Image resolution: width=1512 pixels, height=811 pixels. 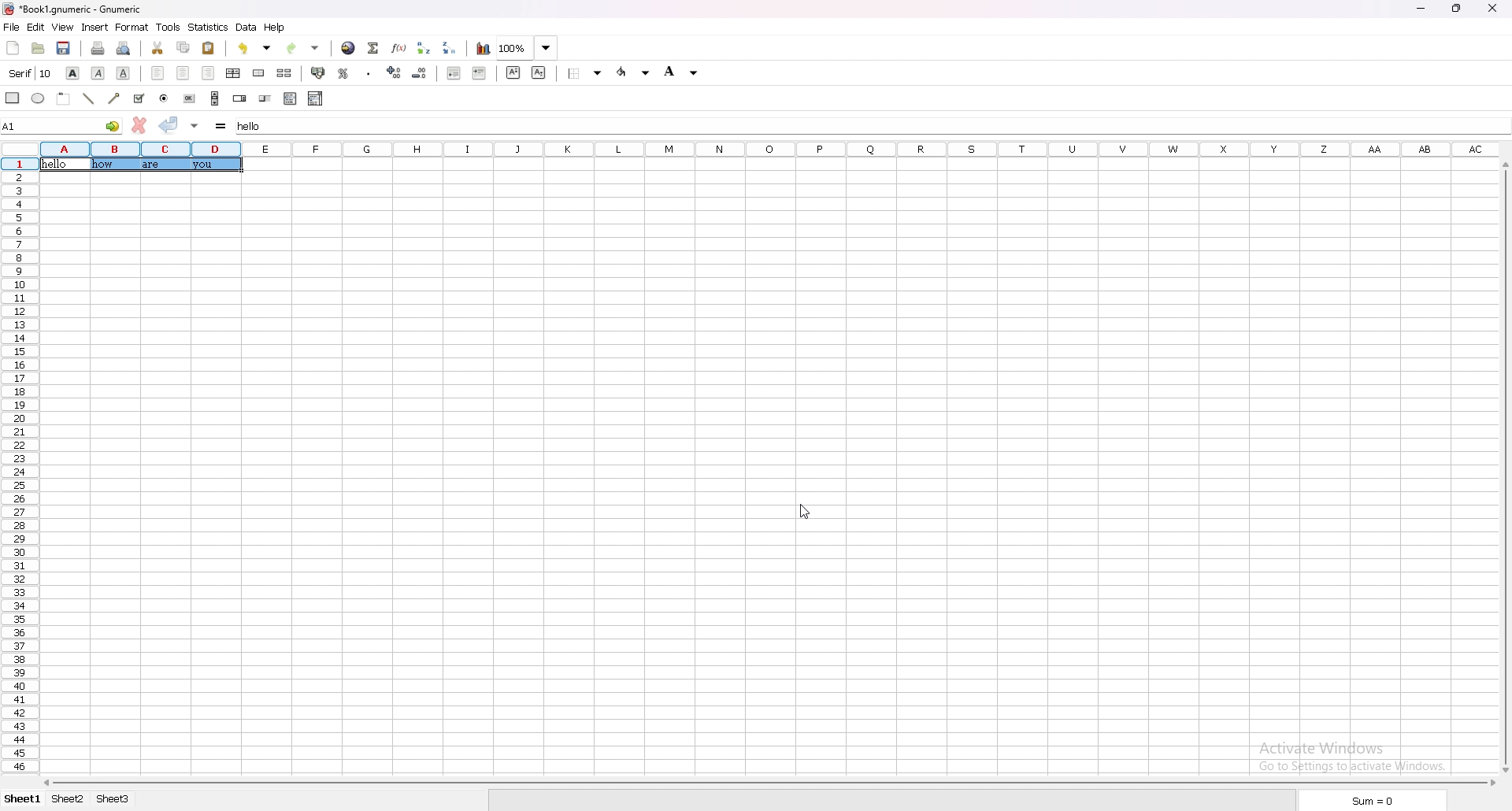 I want to click on rectangle, so click(x=12, y=98).